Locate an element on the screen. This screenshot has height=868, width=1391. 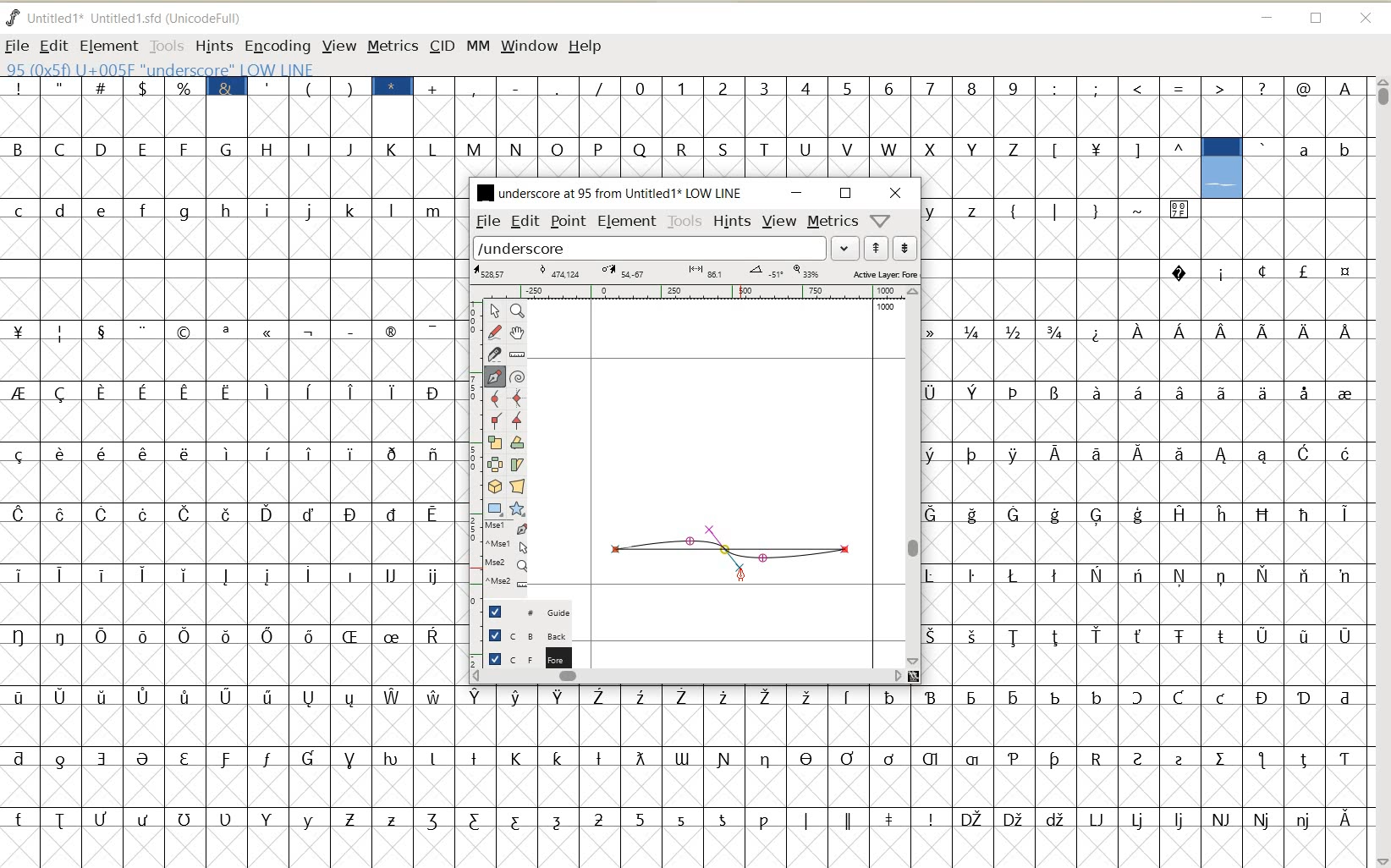
add a curve point always either horizontal or vertical is located at coordinates (518, 397).